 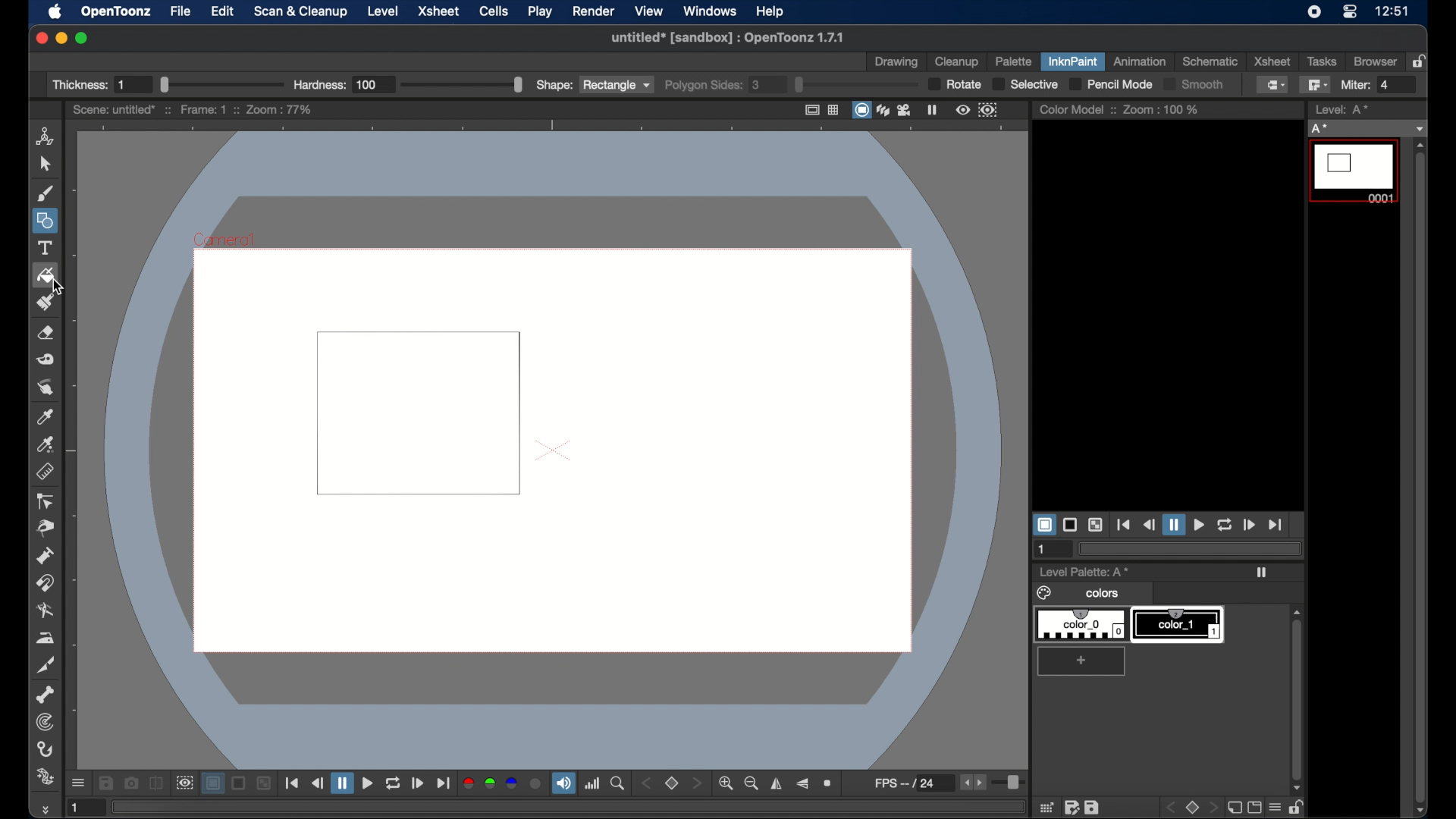 What do you see at coordinates (223, 11) in the screenshot?
I see `edit` at bounding box center [223, 11].